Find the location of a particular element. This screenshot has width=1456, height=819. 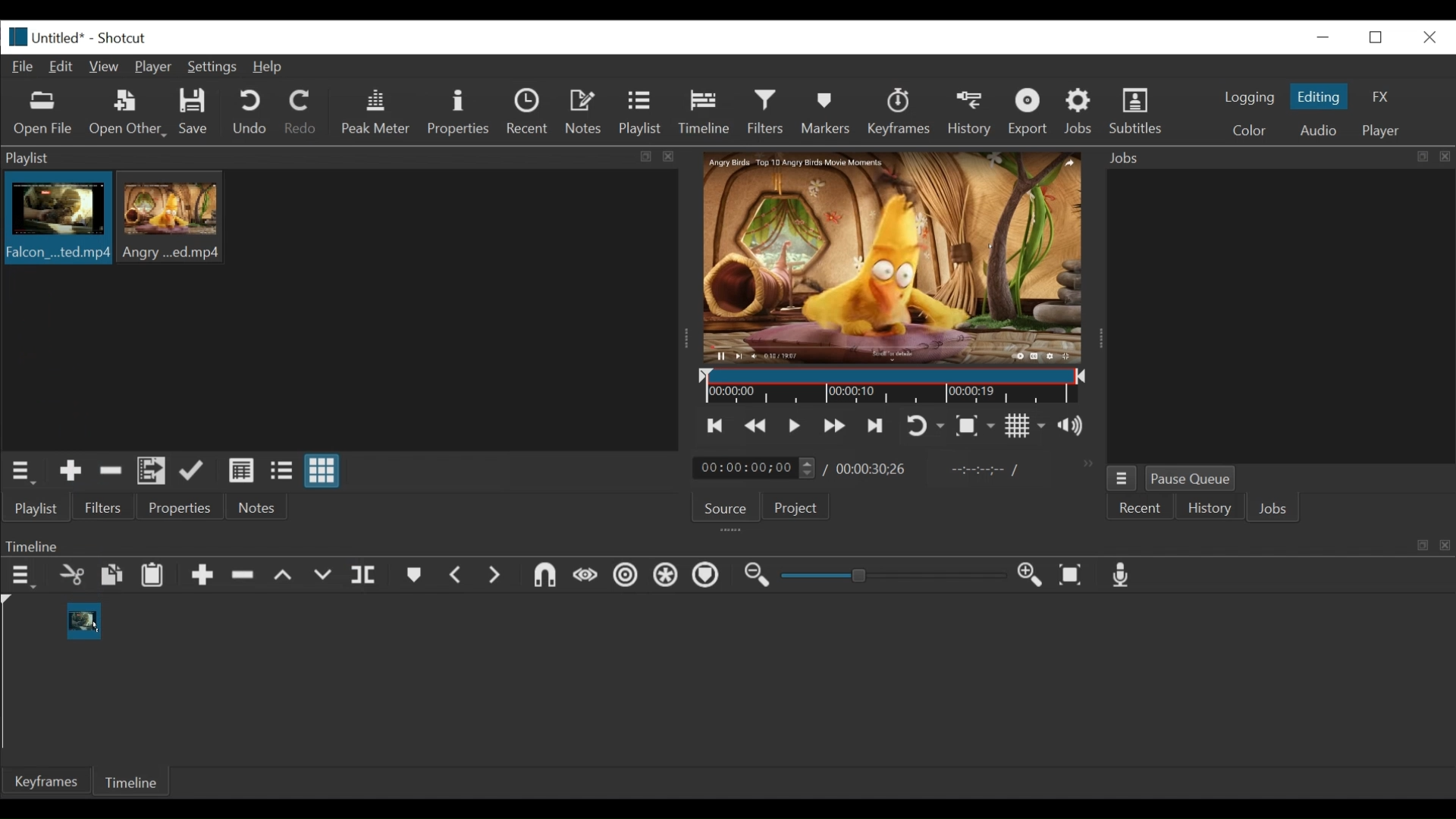

Export is located at coordinates (1031, 114).